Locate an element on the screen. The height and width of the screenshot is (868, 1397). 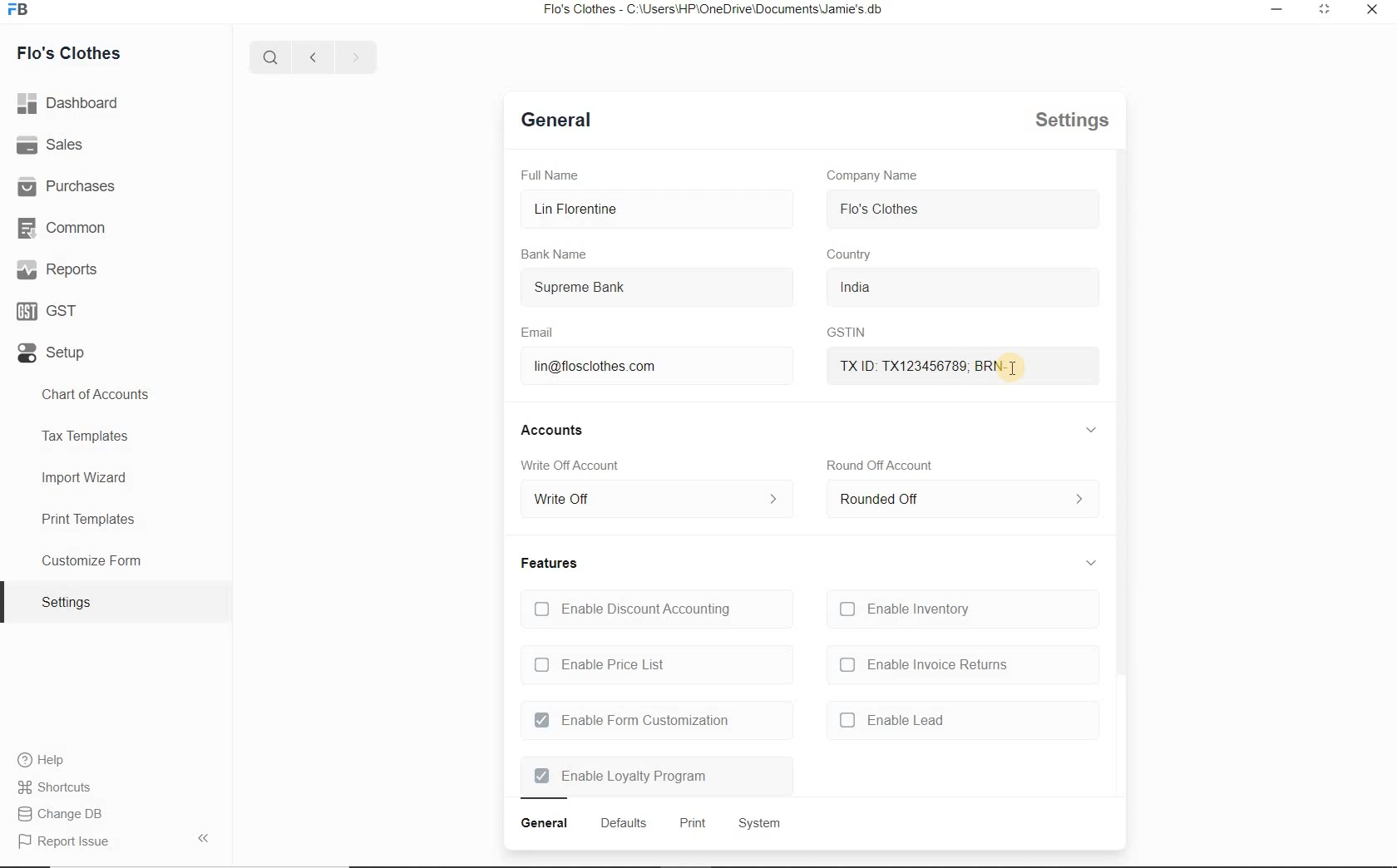
accounts is located at coordinates (558, 430).